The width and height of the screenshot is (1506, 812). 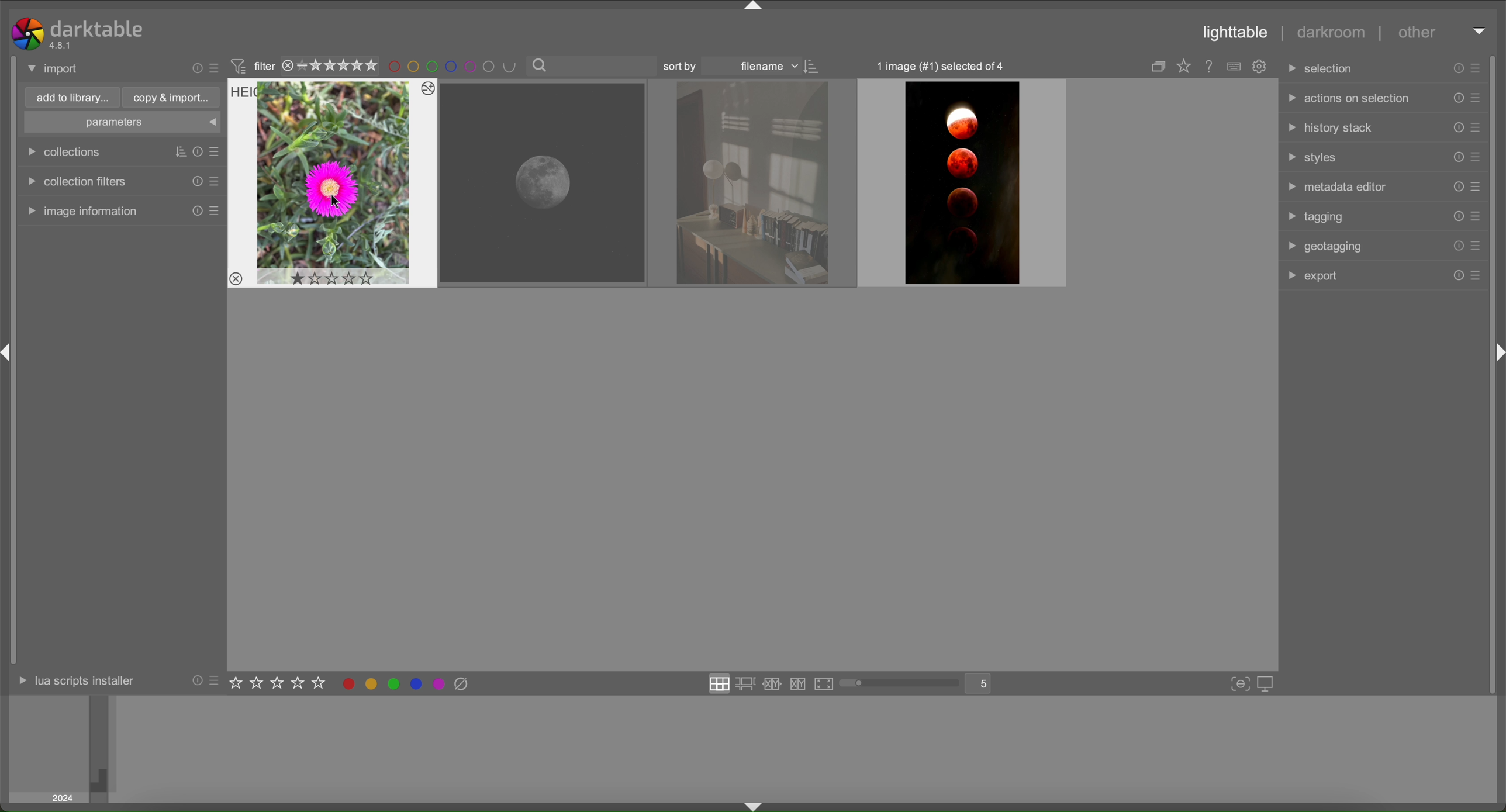 What do you see at coordinates (758, 806) in the screenshot?
I see `arrow` at bounding box center [758, 806].